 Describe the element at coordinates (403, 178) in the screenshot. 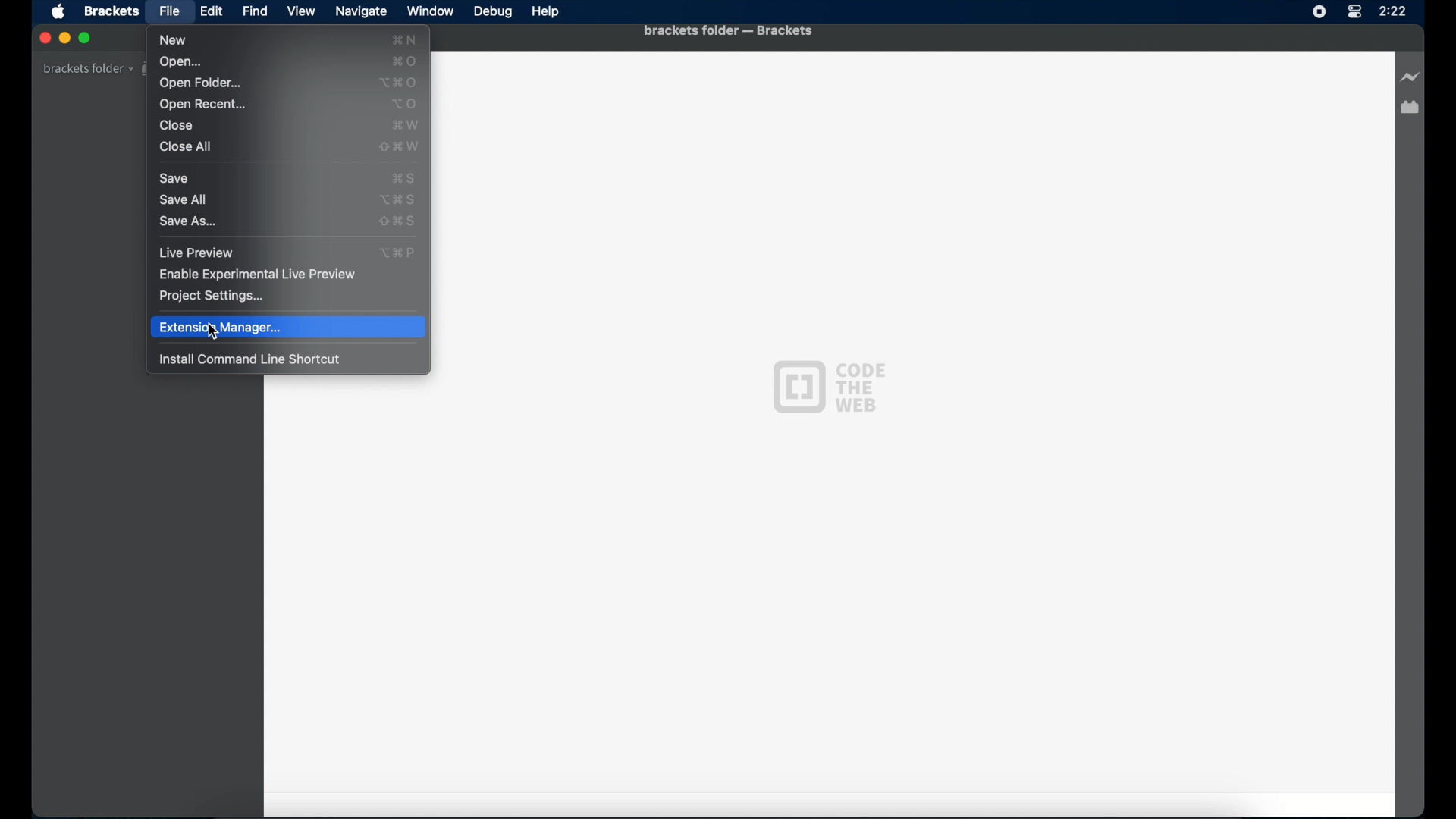

I see `save shortcut` at that location.